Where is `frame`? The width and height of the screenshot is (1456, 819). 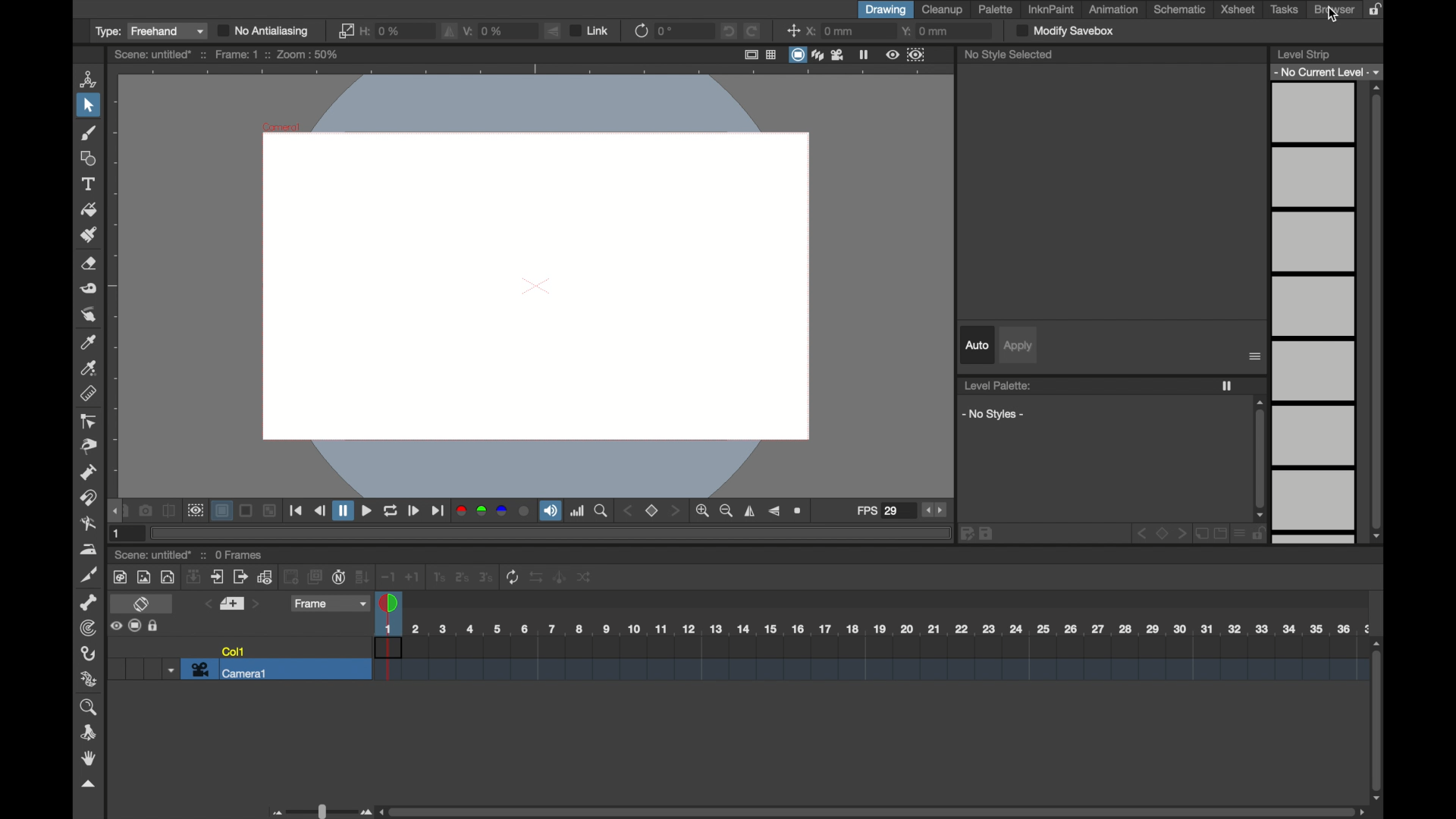 frame is located at coordinates (330, 604).